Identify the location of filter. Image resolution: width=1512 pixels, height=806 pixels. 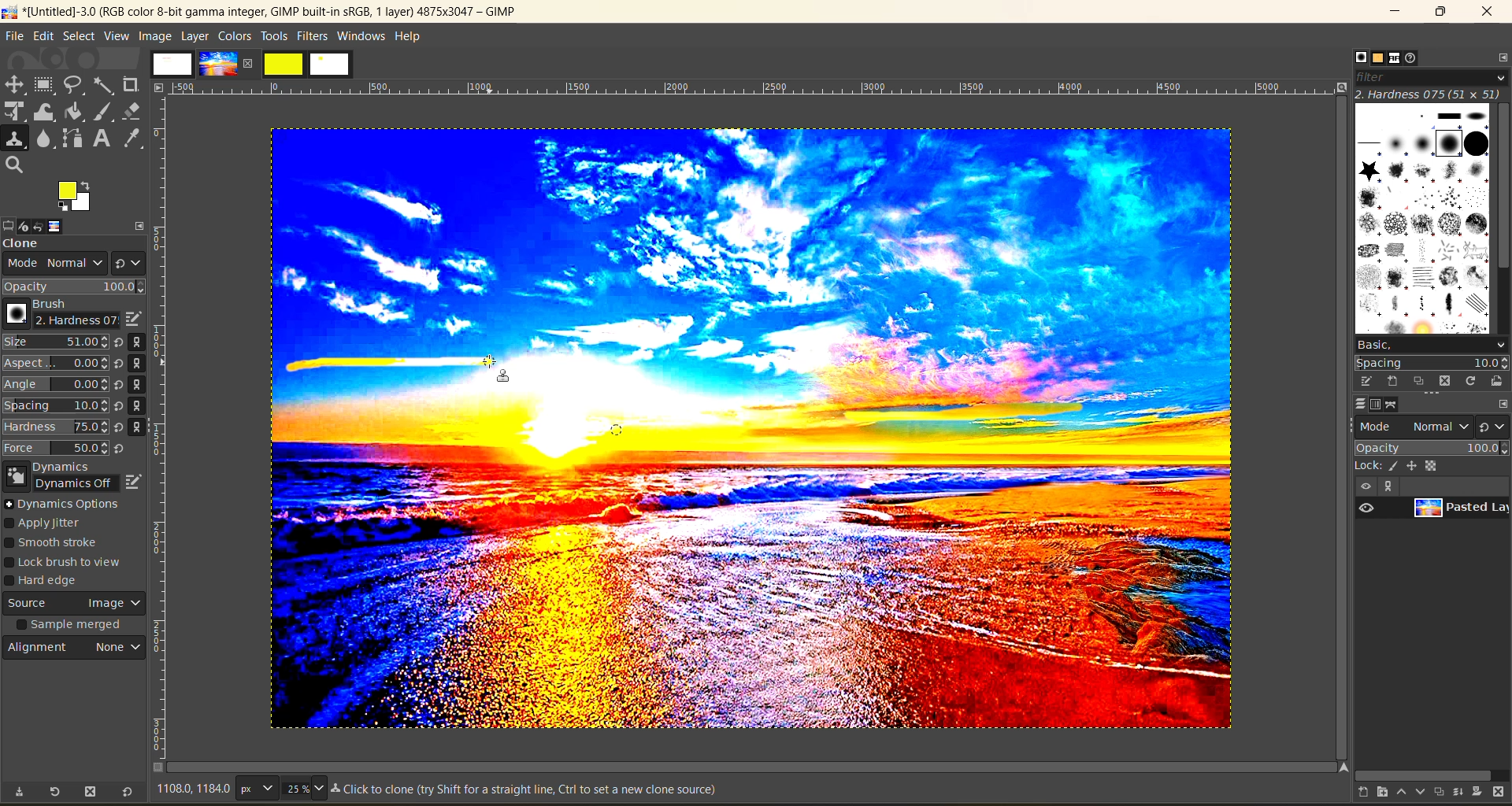
(1429, 76).